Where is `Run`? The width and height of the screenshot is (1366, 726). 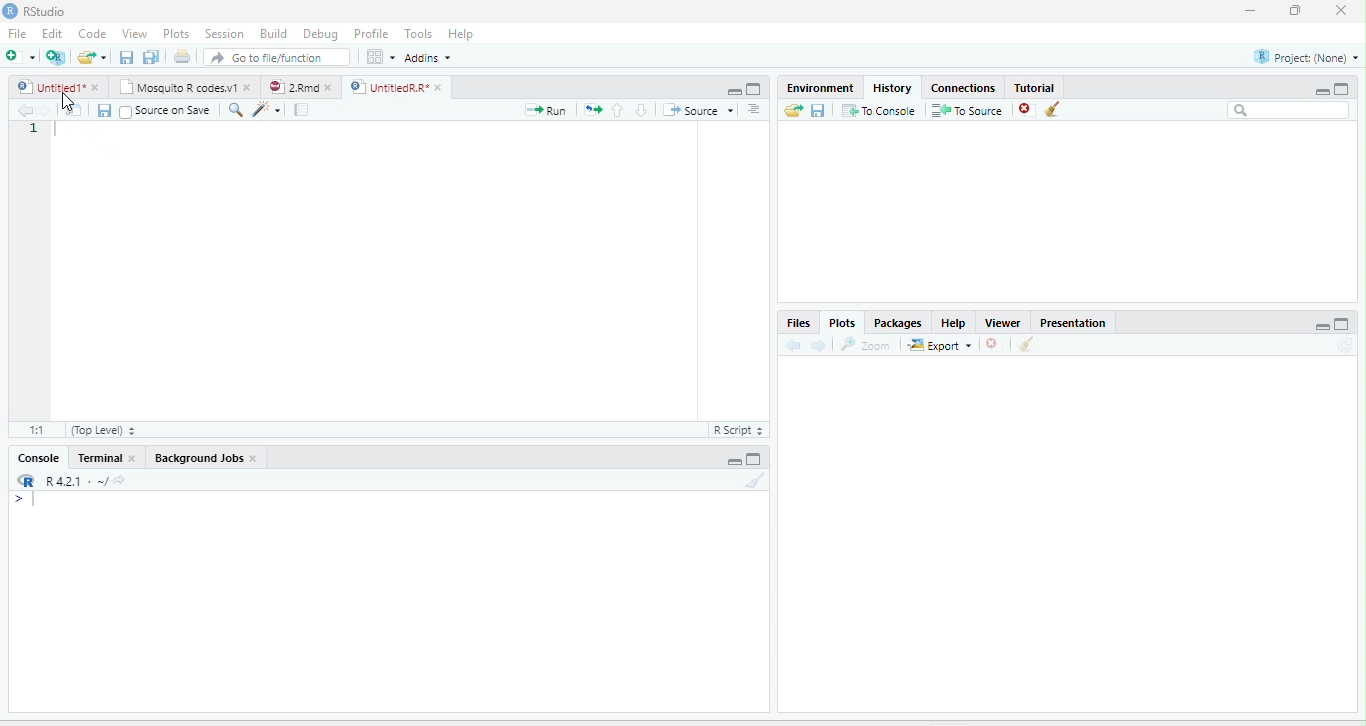 Run is located at coordinates (546, 110).